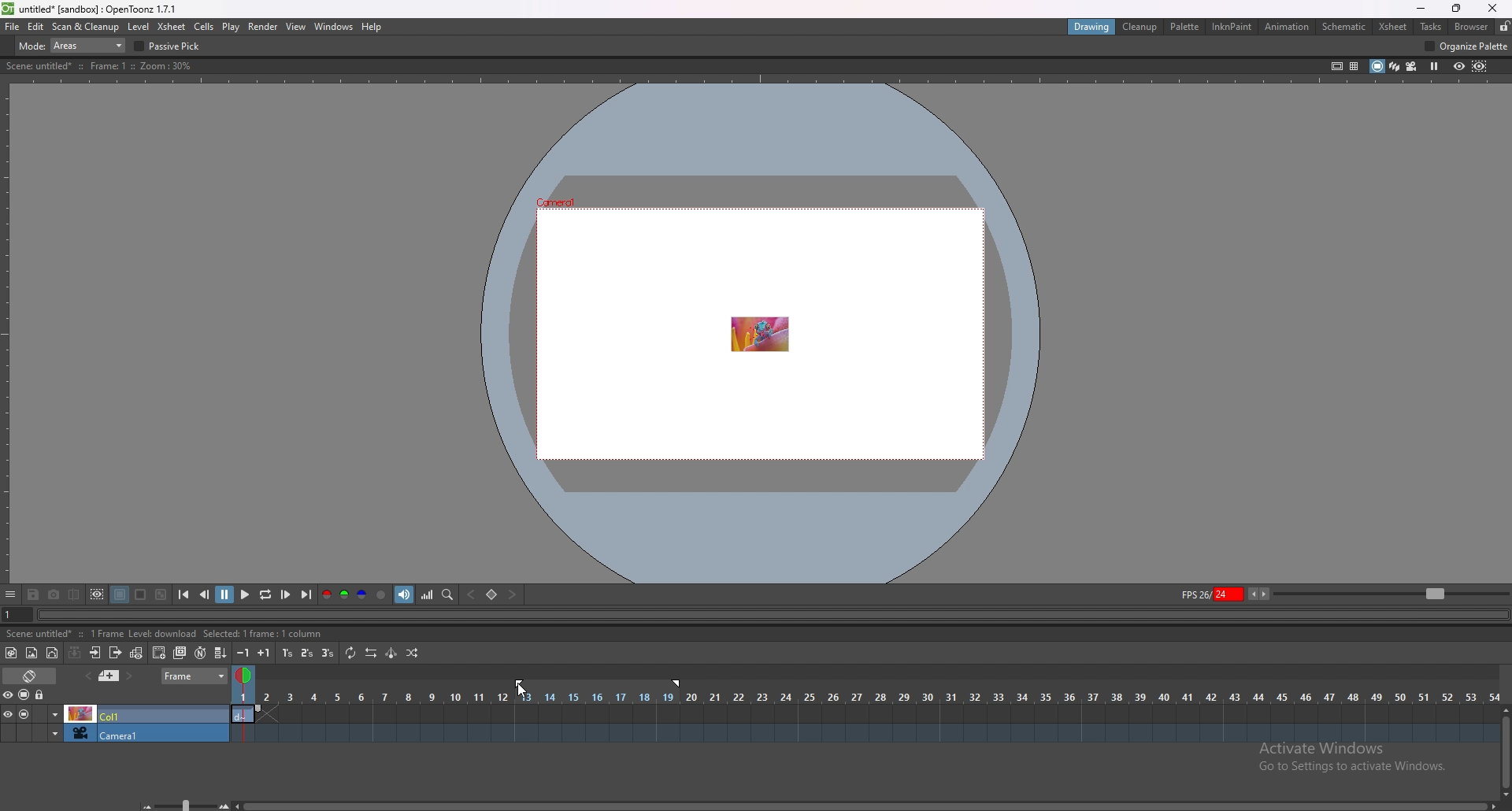 The image size is (1512, 811). I want to click on options, so click(11, 595).